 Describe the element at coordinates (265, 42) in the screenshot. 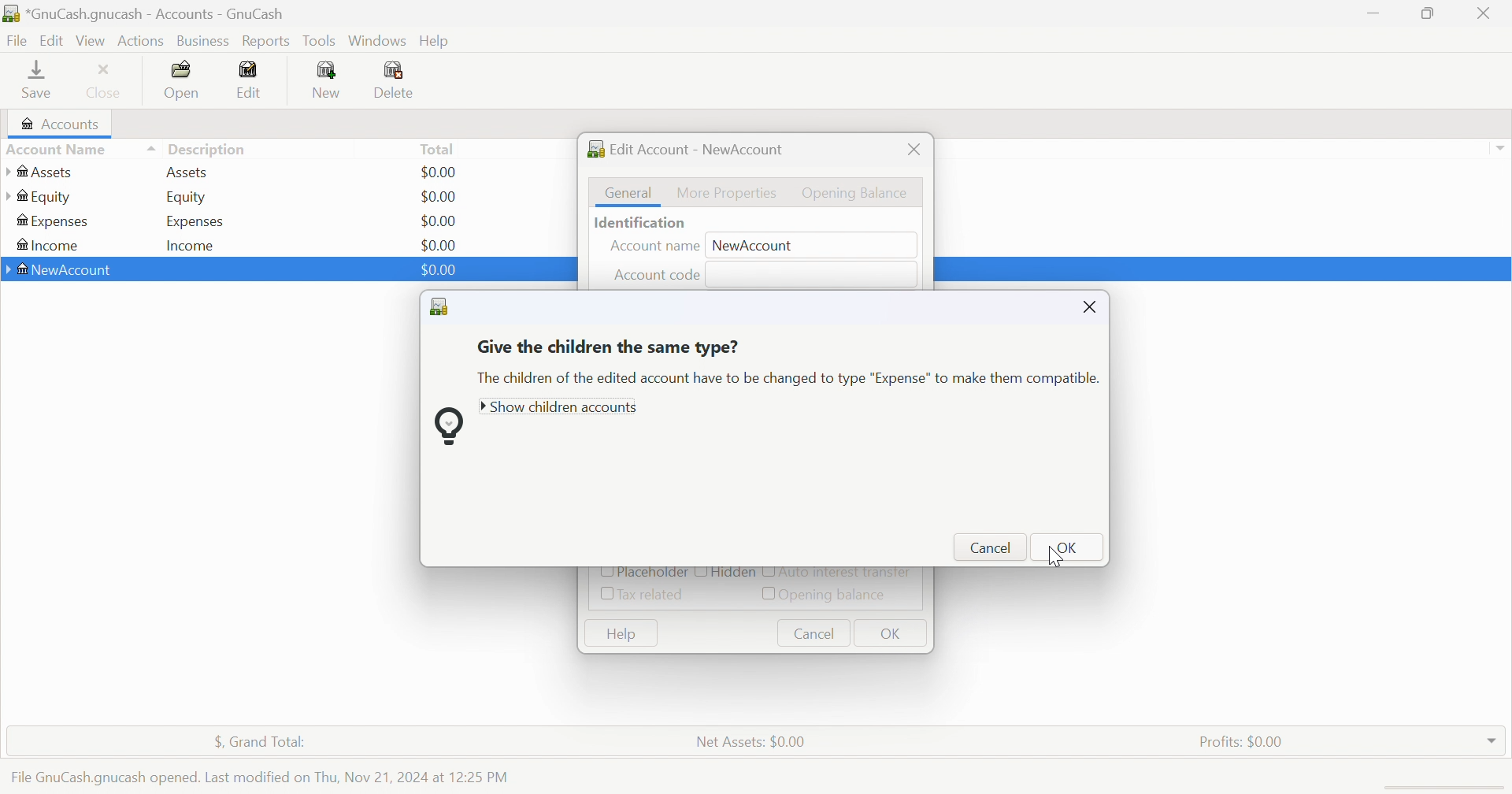

I see `Reports` at that location.